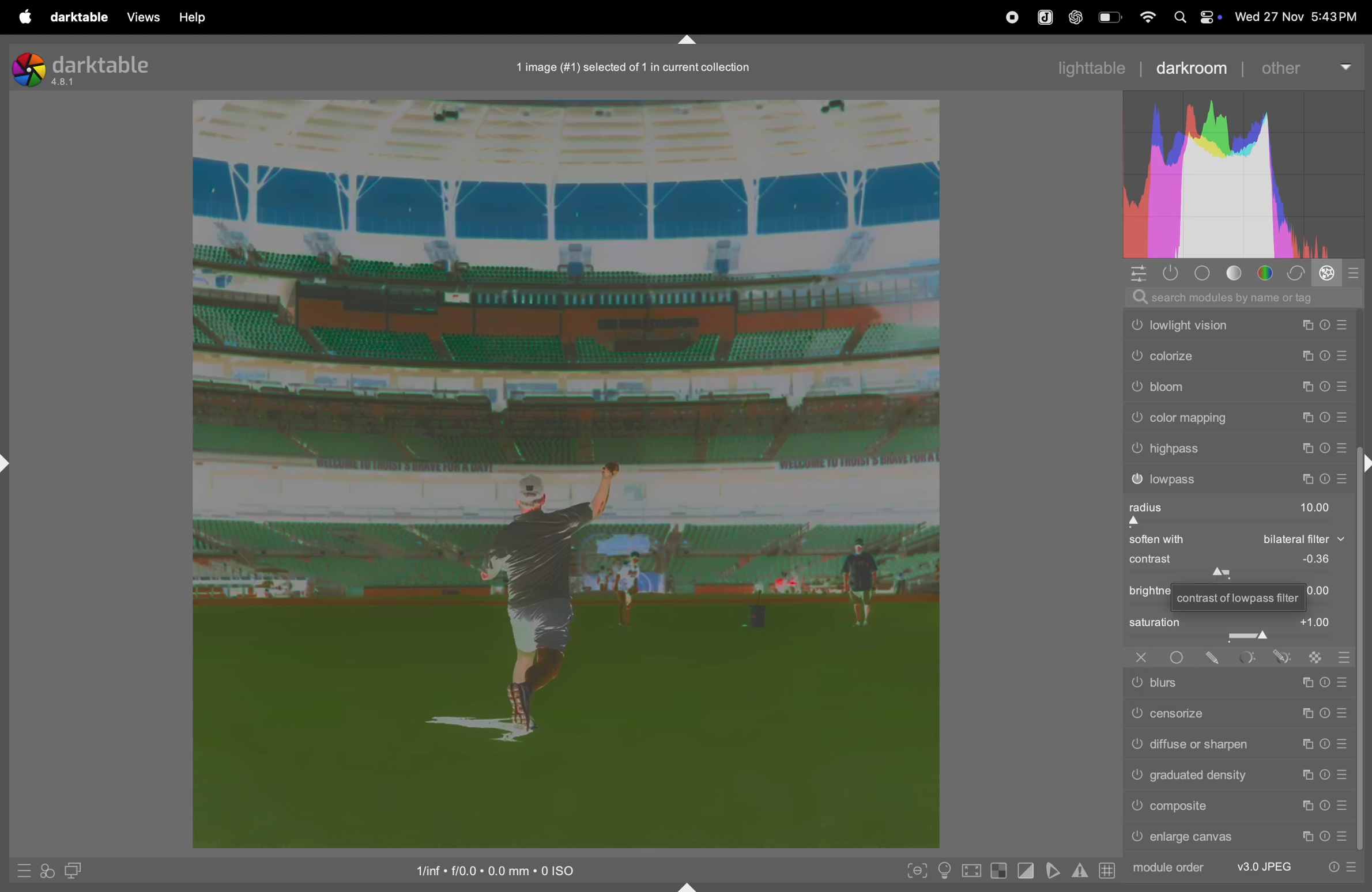 This screenshot has width=1372, height=892. I want to click on drawn & parmetric mask, so click(1284, 657).